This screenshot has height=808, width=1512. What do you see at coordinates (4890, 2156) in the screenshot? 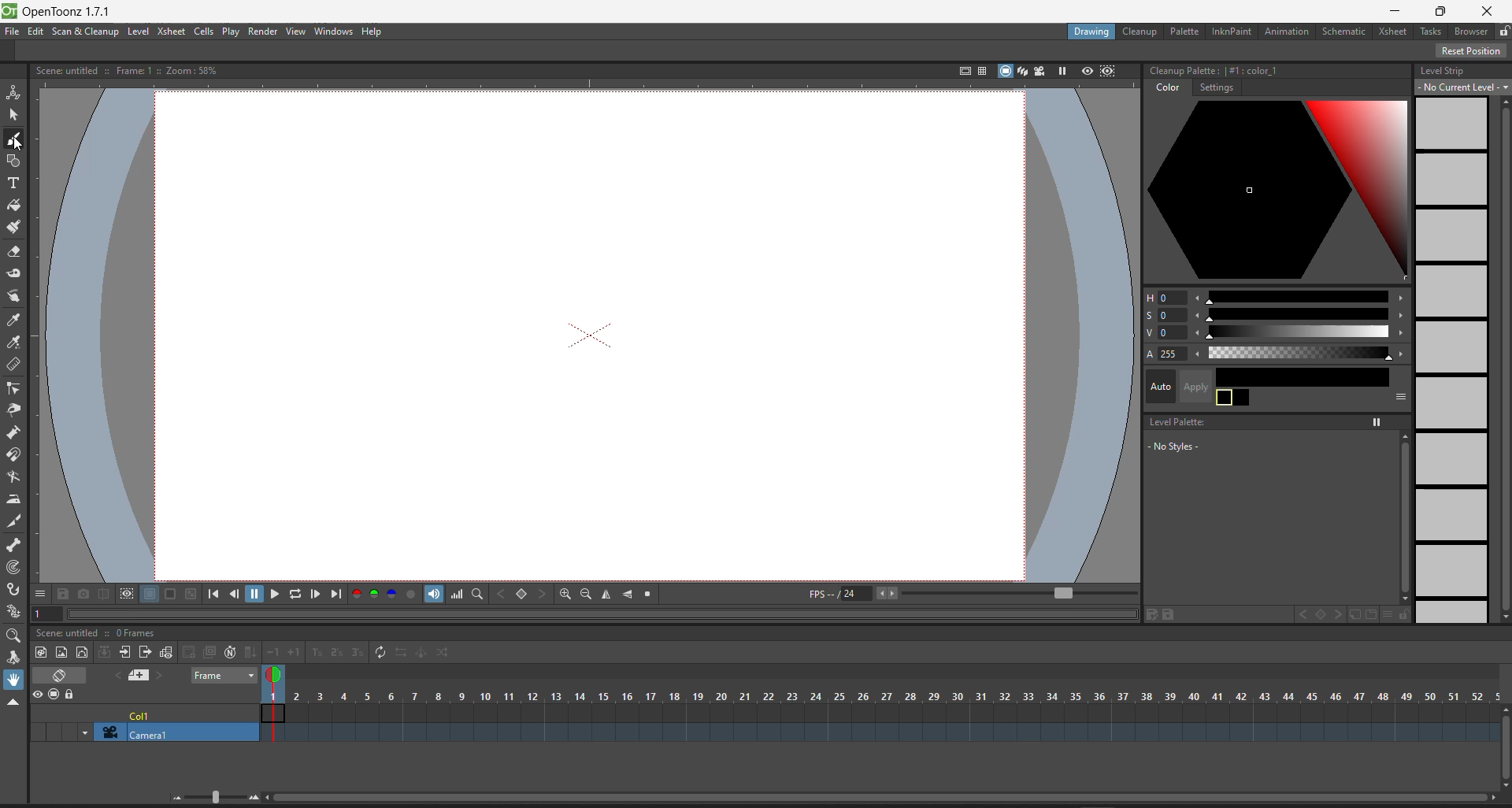
I see `new page` at bounding box center [4890, 2156].